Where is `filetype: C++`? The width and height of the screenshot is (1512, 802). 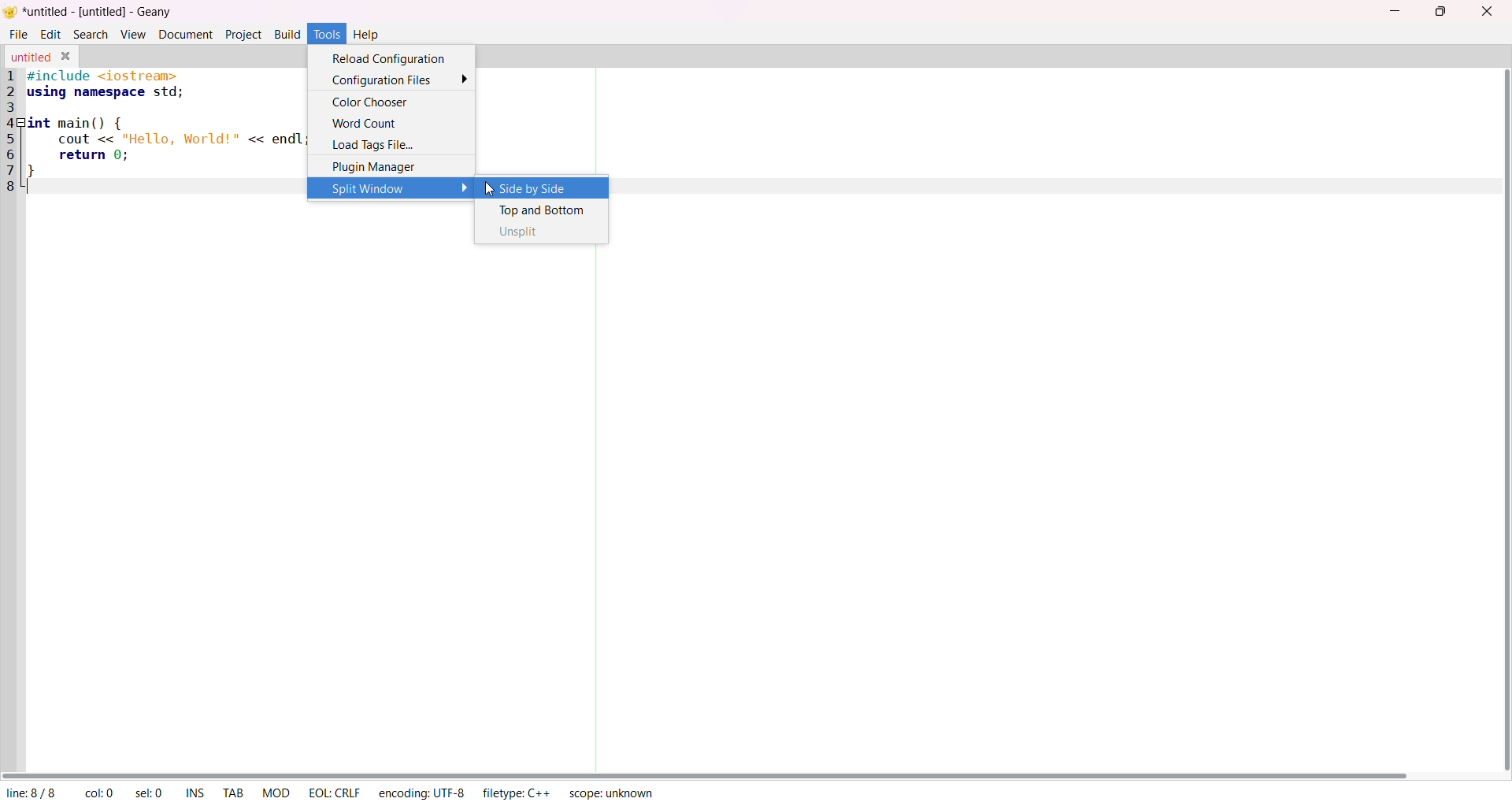 filetype: C++ is located at coordinates (513, 794).